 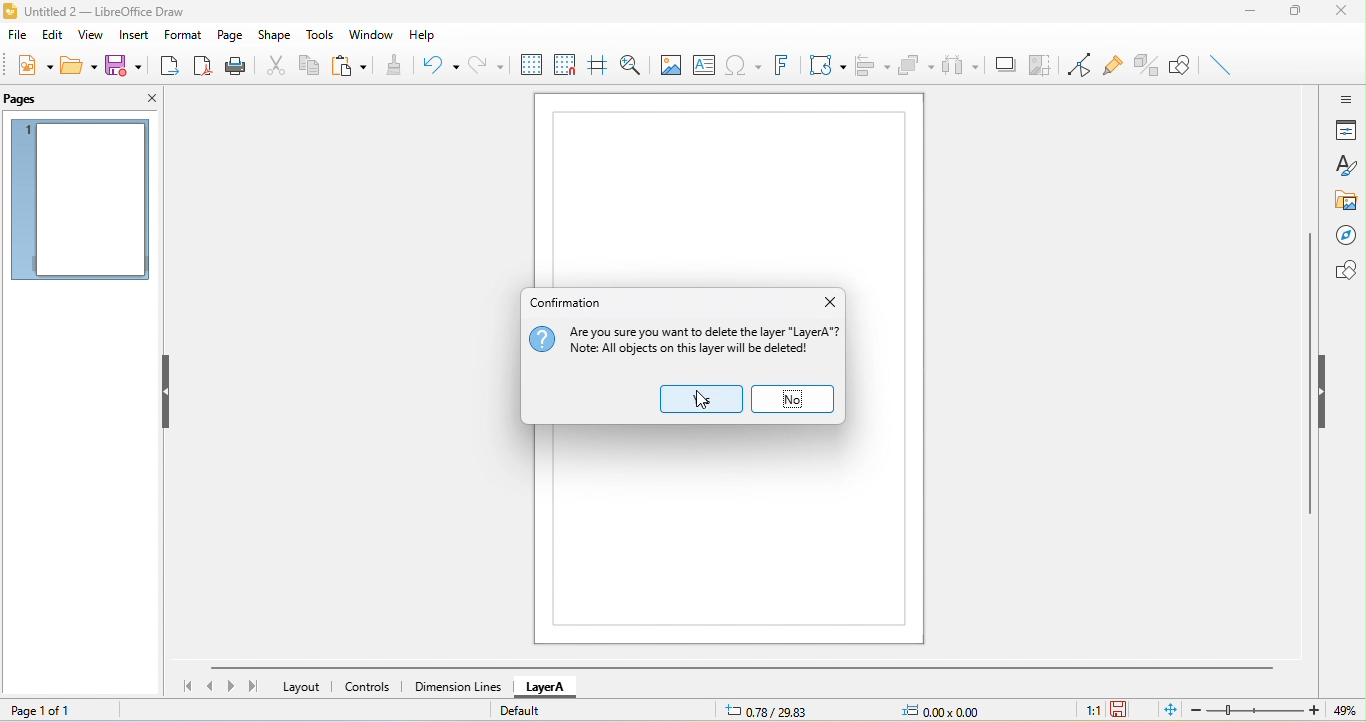 I want to click on styles, so click(x=1347, y=166).